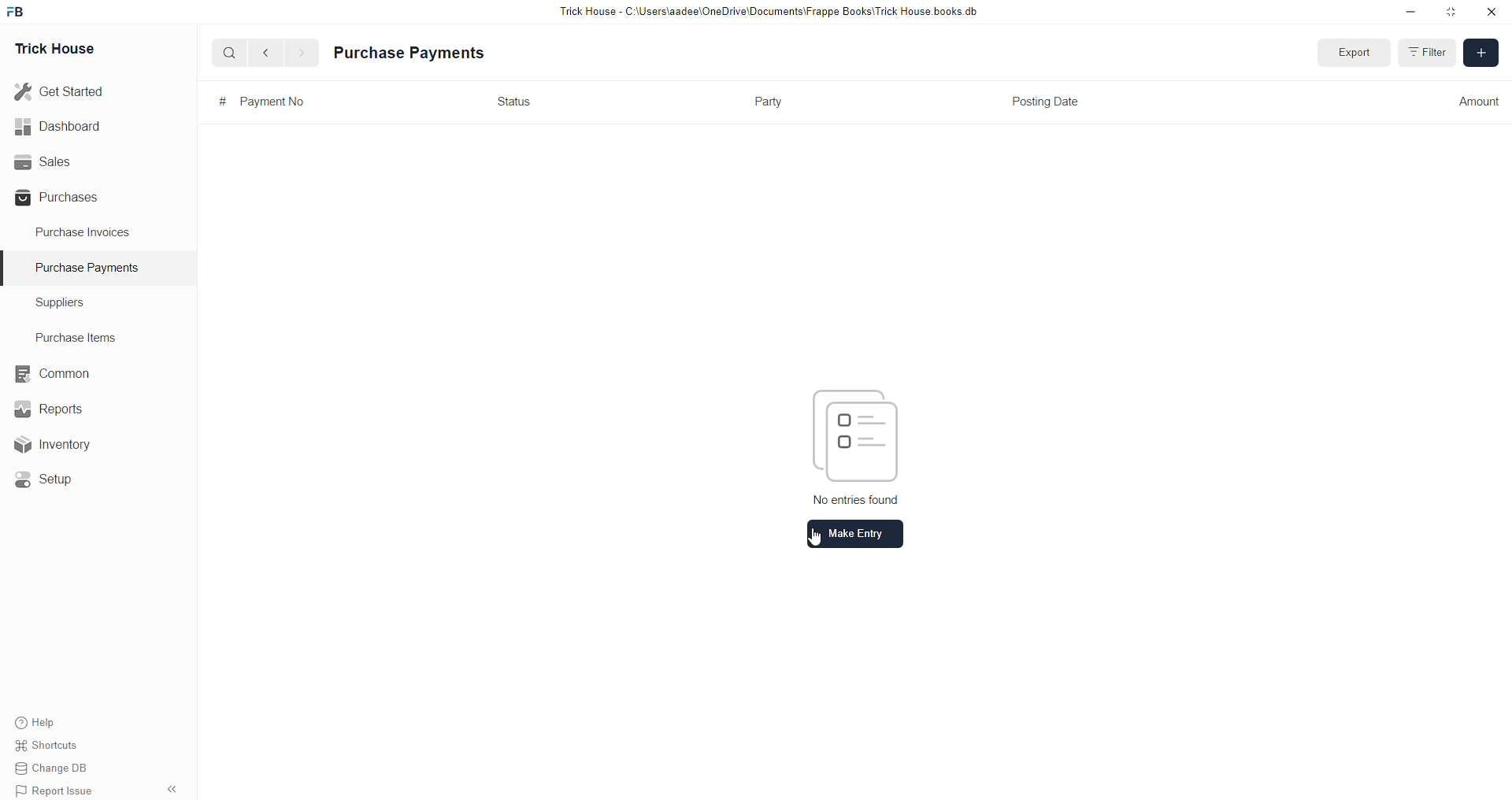  Describe the element at coordinates (80, 335) in the screenshot. I see `Purchase Items` at that location.